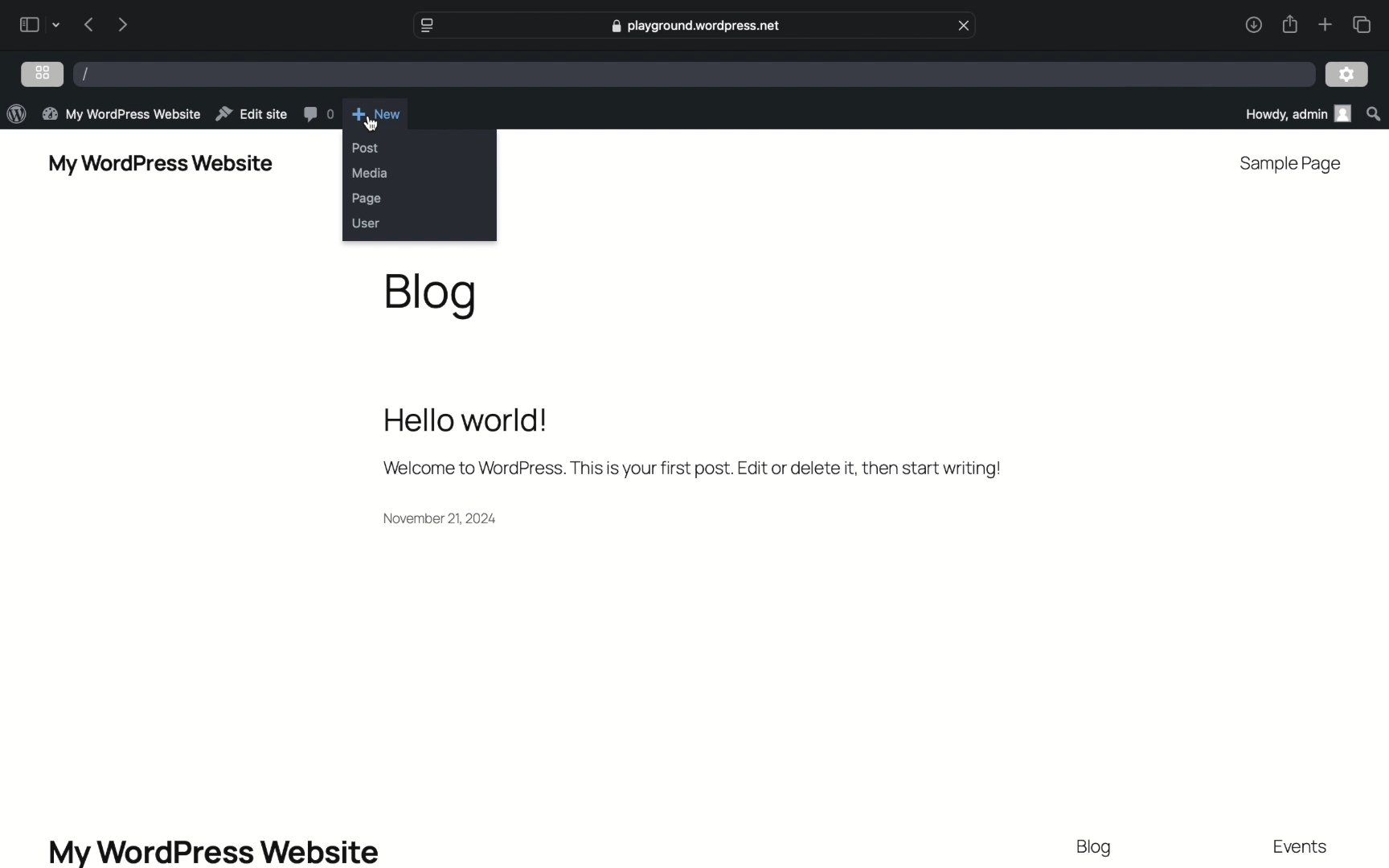 The width and height of the screenshot is (1389, 868). I want to click on my wordpress website, so click(162, 166).